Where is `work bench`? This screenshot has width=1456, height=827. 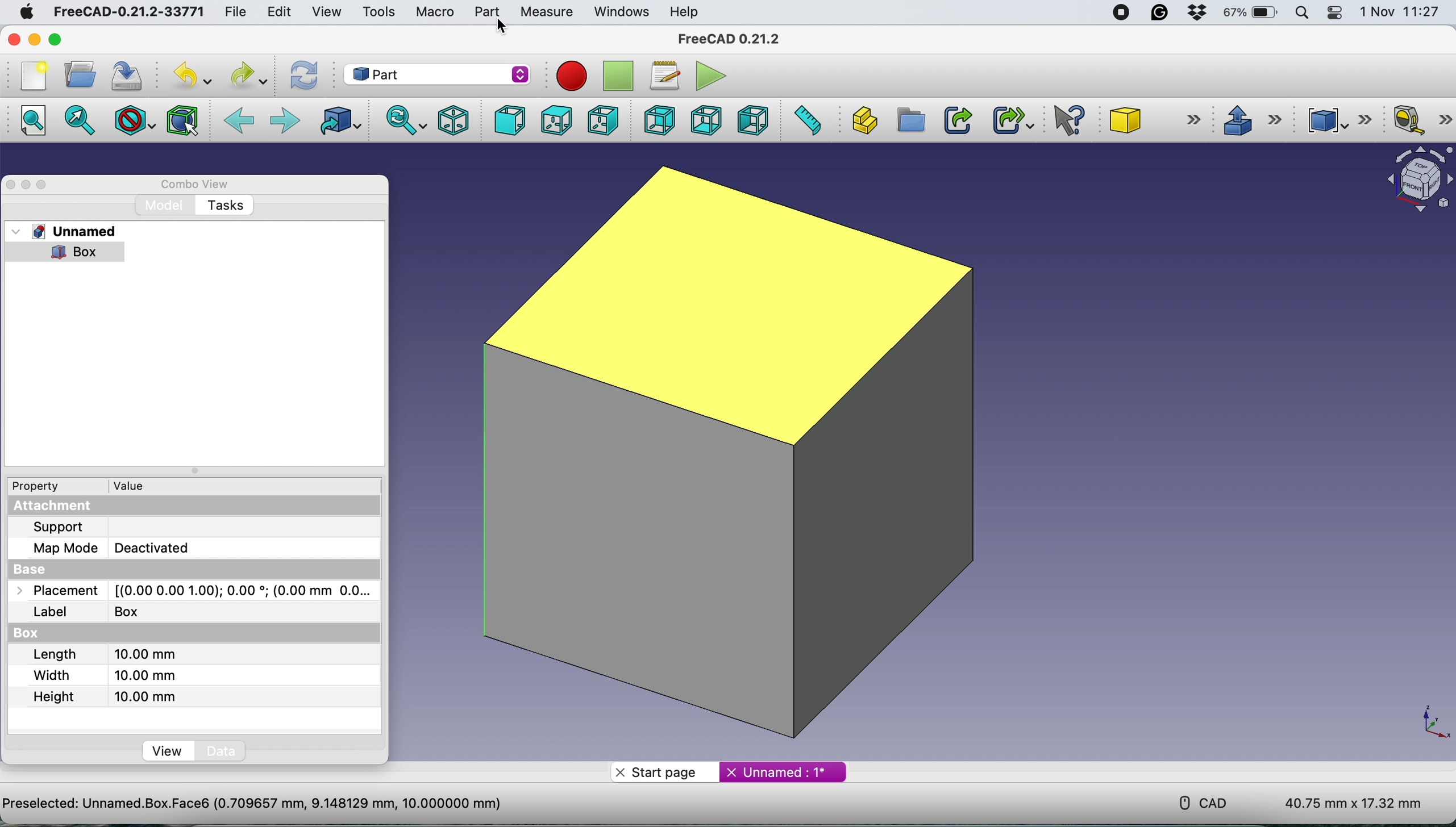
work bench is located at coordinates (437, 73).